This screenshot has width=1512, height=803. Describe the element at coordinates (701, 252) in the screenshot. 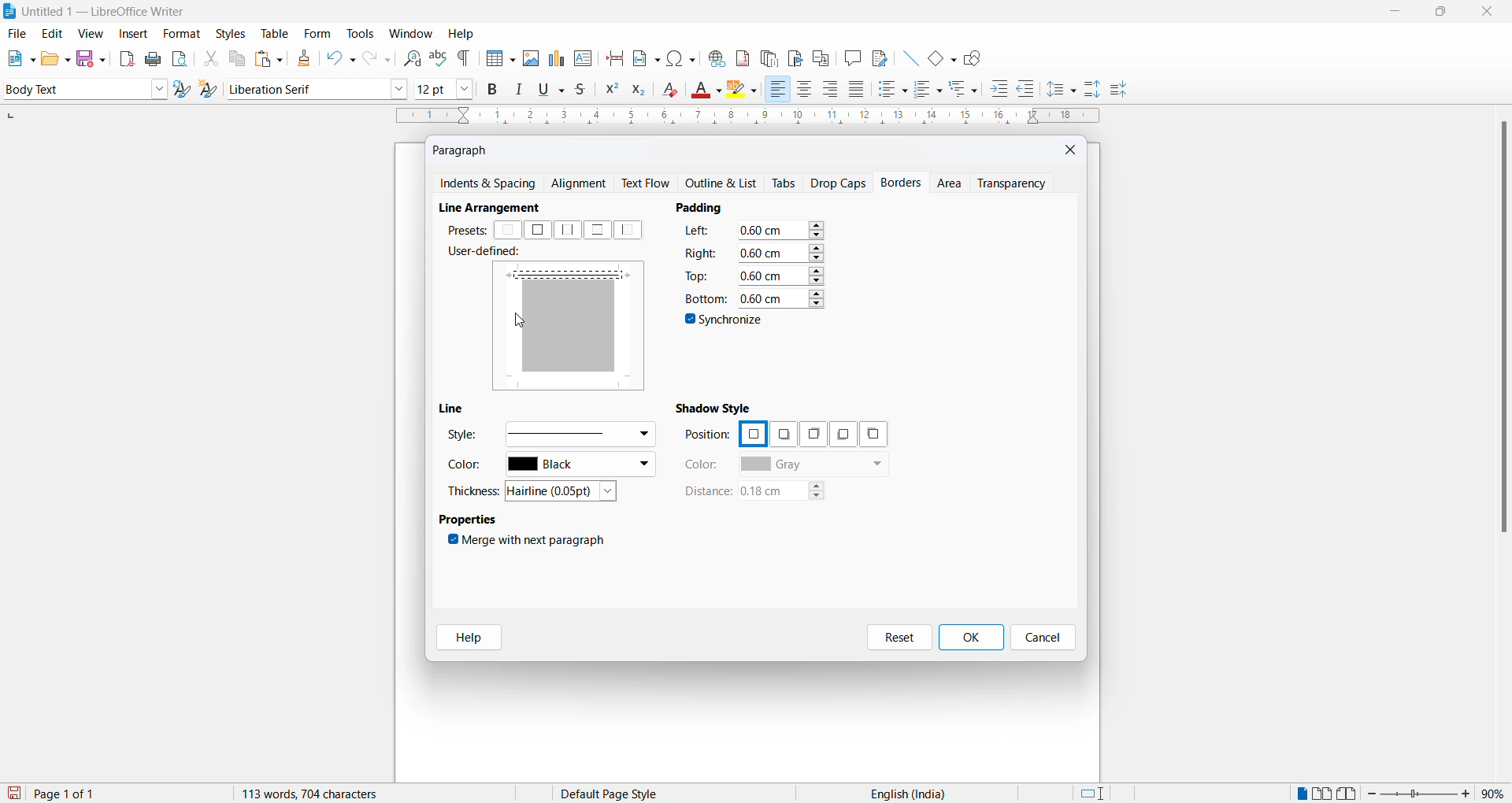

I see `right` at that location.